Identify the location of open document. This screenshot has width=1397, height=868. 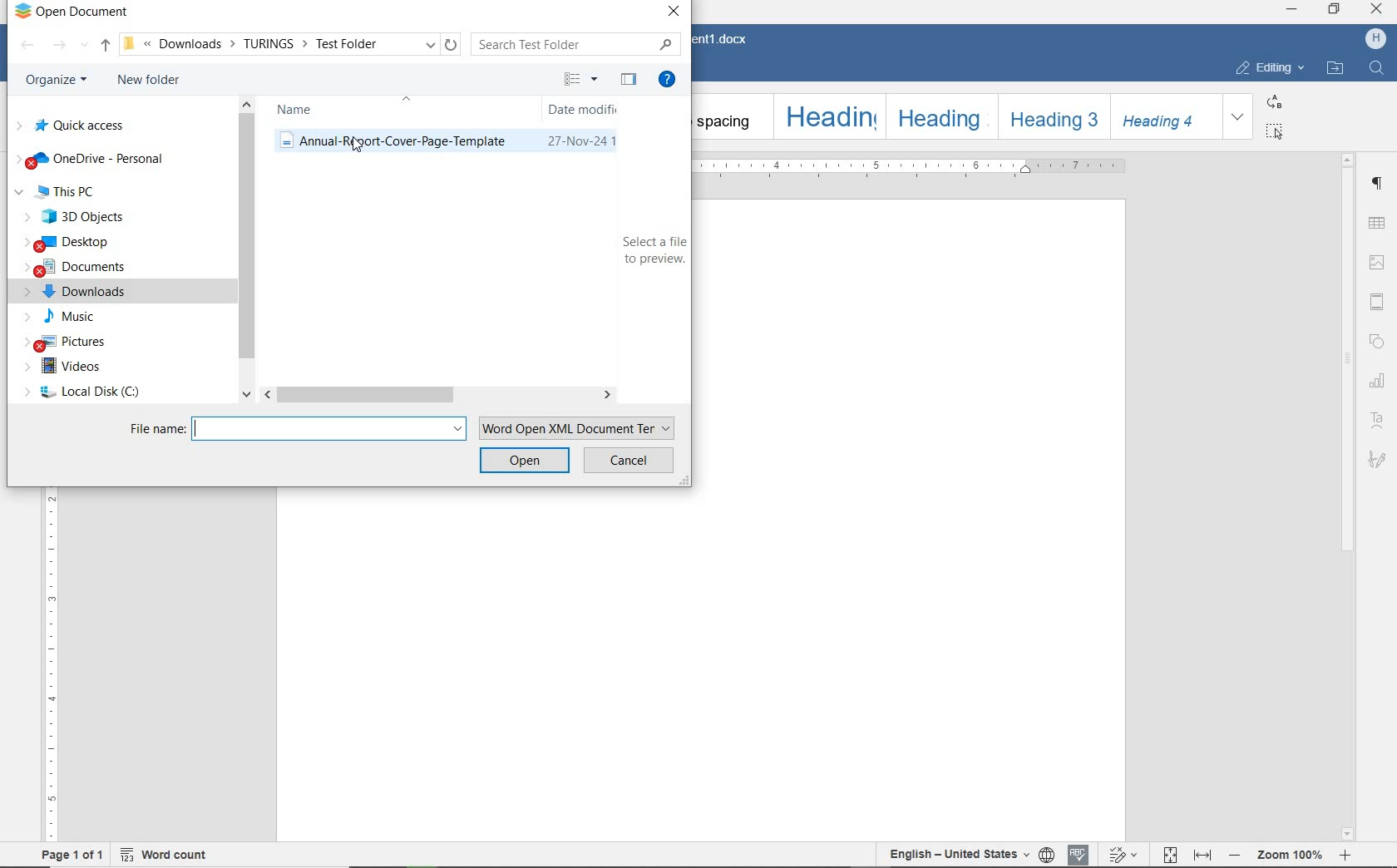
(72, 12).